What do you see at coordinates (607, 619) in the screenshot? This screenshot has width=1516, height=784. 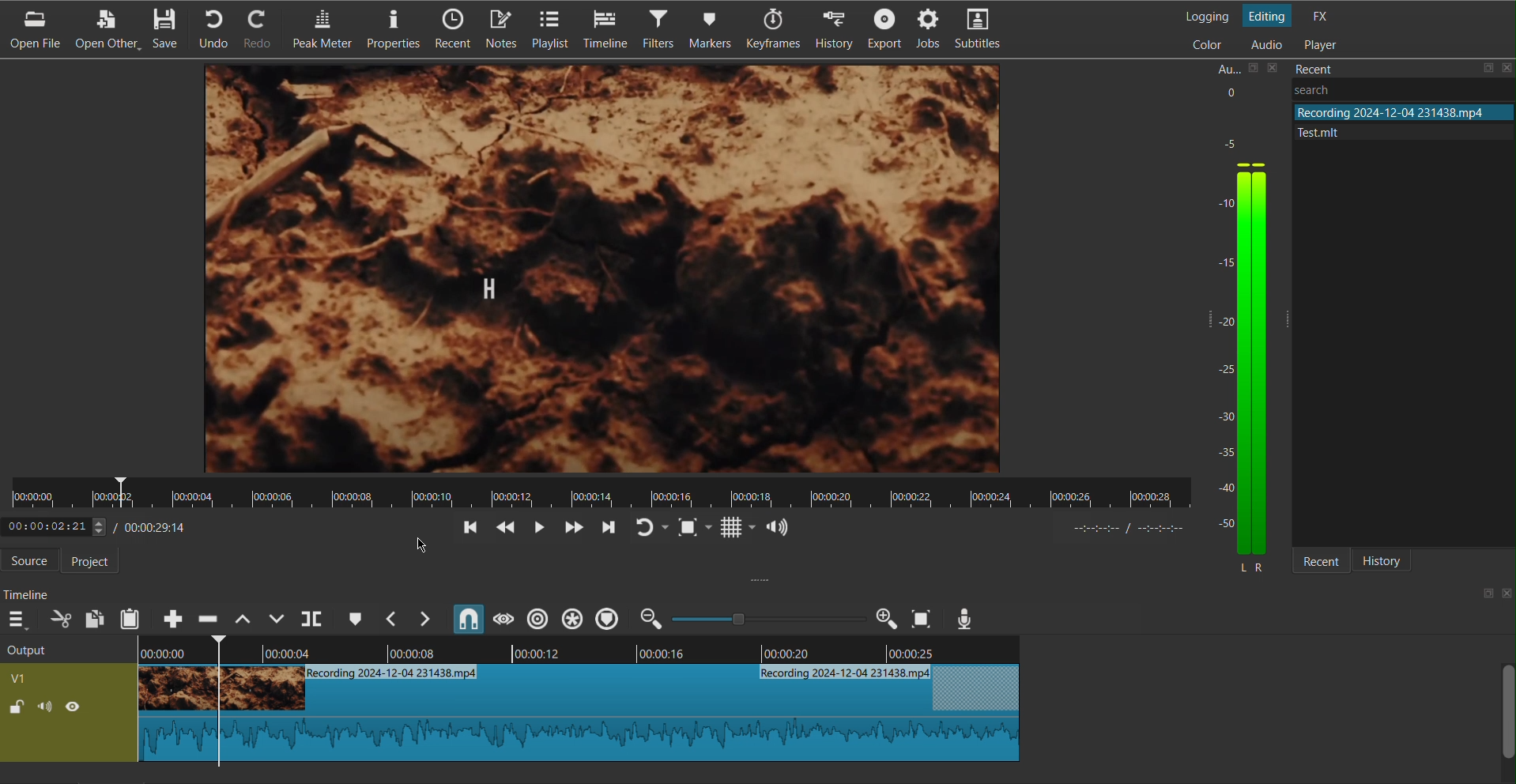 I see `Ripple Markers` at bounding box center [607, 619].